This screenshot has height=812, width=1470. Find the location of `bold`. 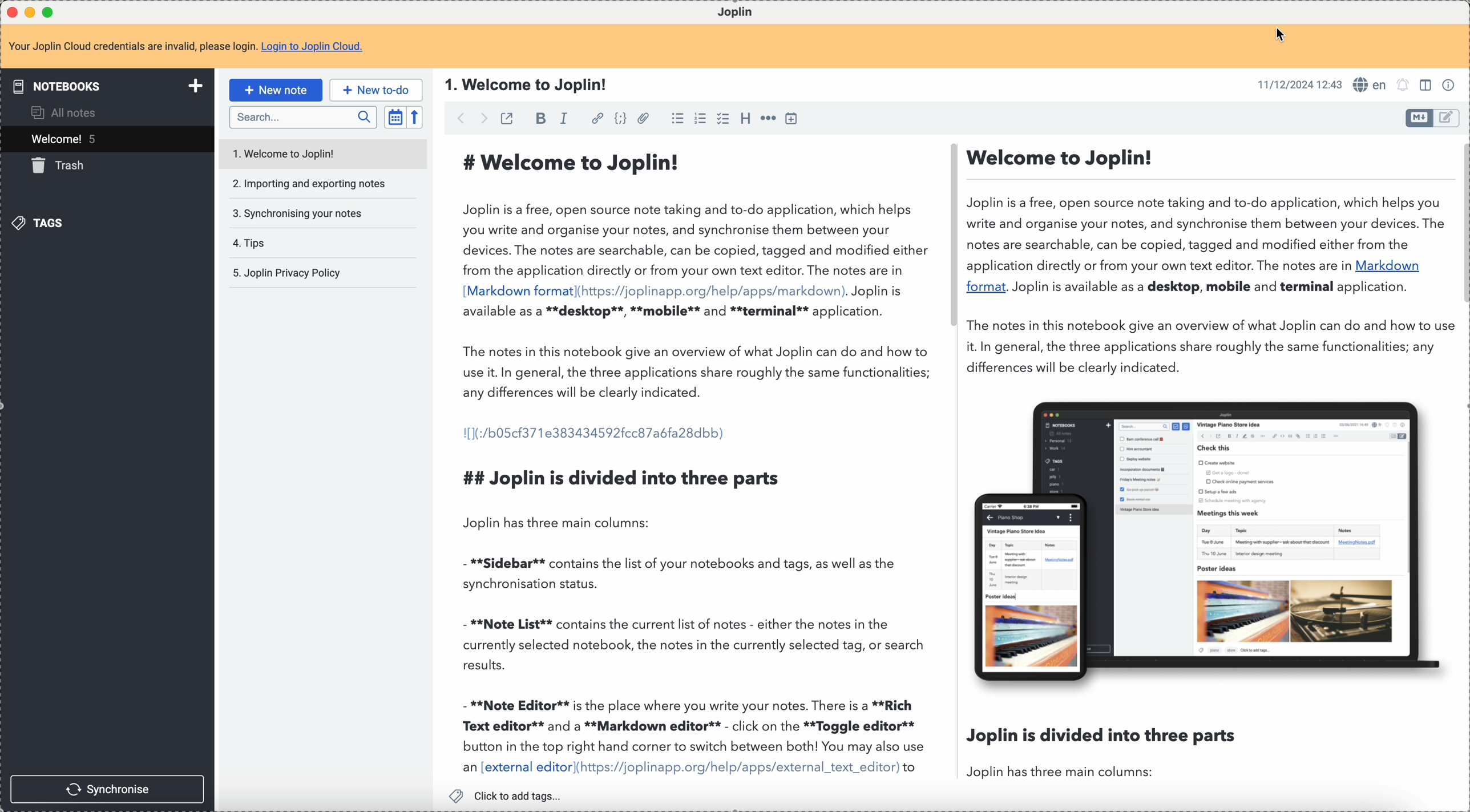

bold is located at coordinates (539, 117).